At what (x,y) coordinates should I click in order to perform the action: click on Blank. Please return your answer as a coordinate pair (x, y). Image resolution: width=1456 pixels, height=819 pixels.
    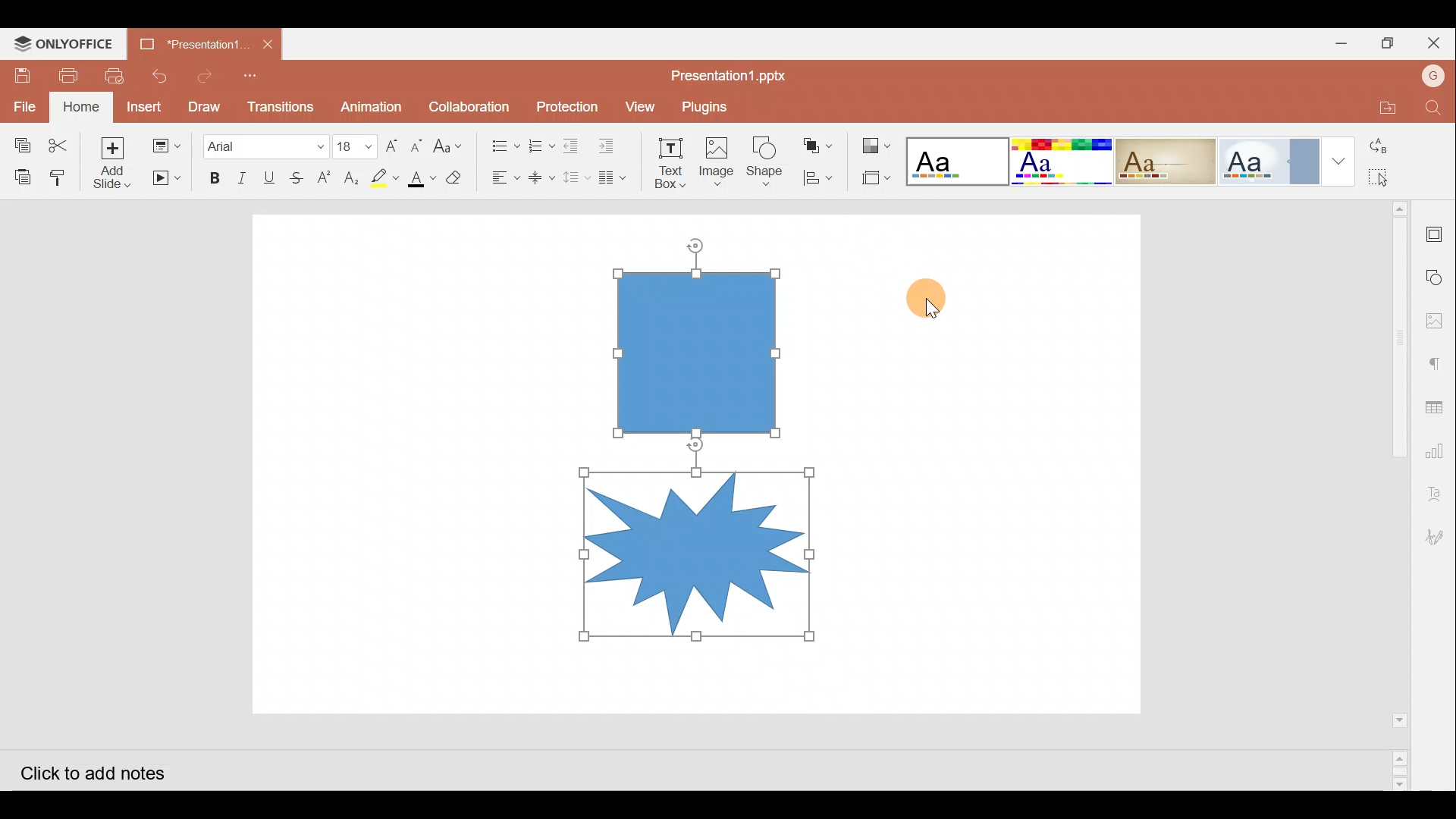
    Looking at the image, I should click on (955, 157).